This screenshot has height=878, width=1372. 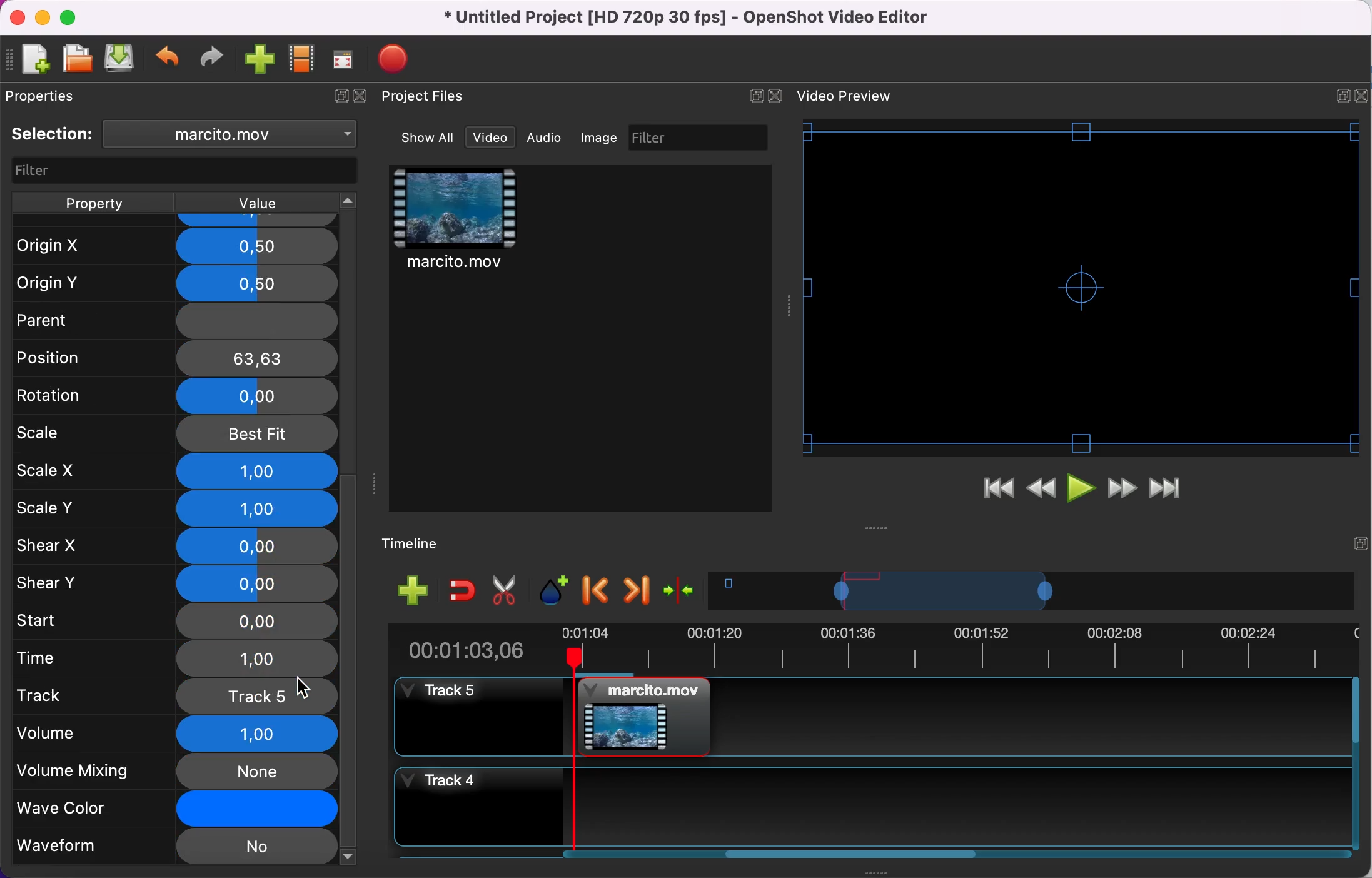 I want to click on cursor, so click(x=302, y=687).